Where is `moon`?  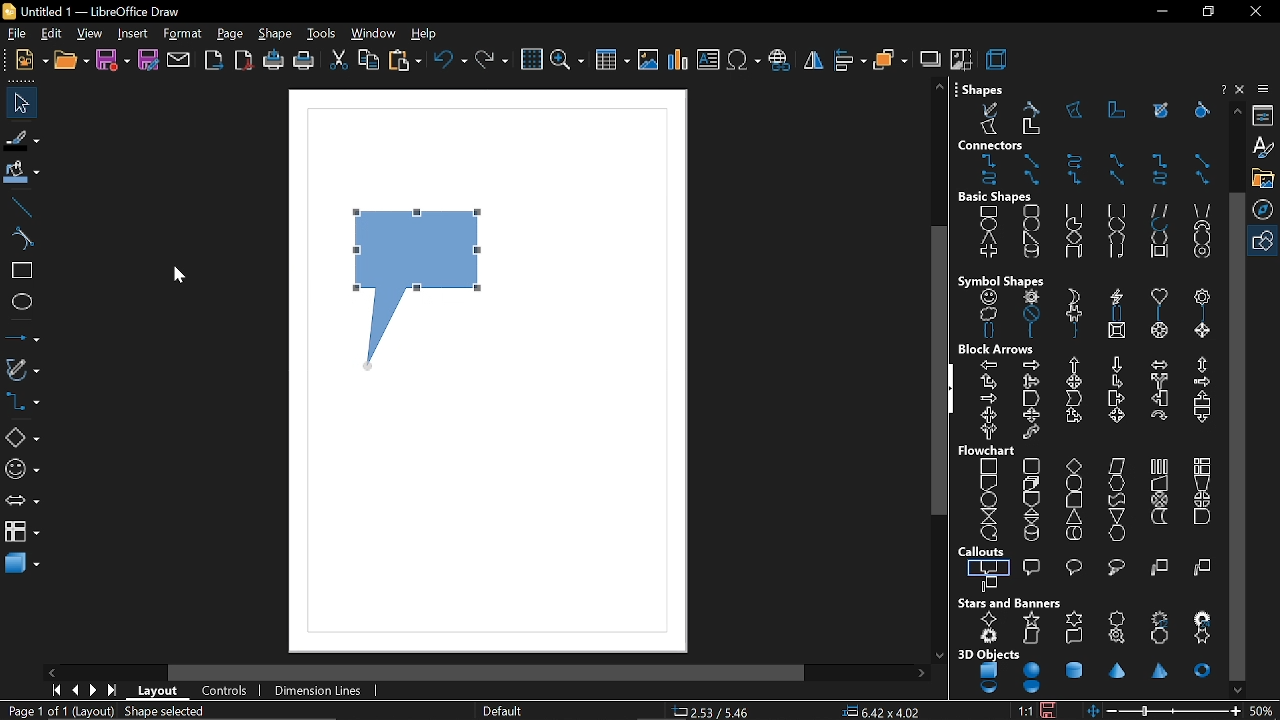
moon is located at coordinates (1071, 294).